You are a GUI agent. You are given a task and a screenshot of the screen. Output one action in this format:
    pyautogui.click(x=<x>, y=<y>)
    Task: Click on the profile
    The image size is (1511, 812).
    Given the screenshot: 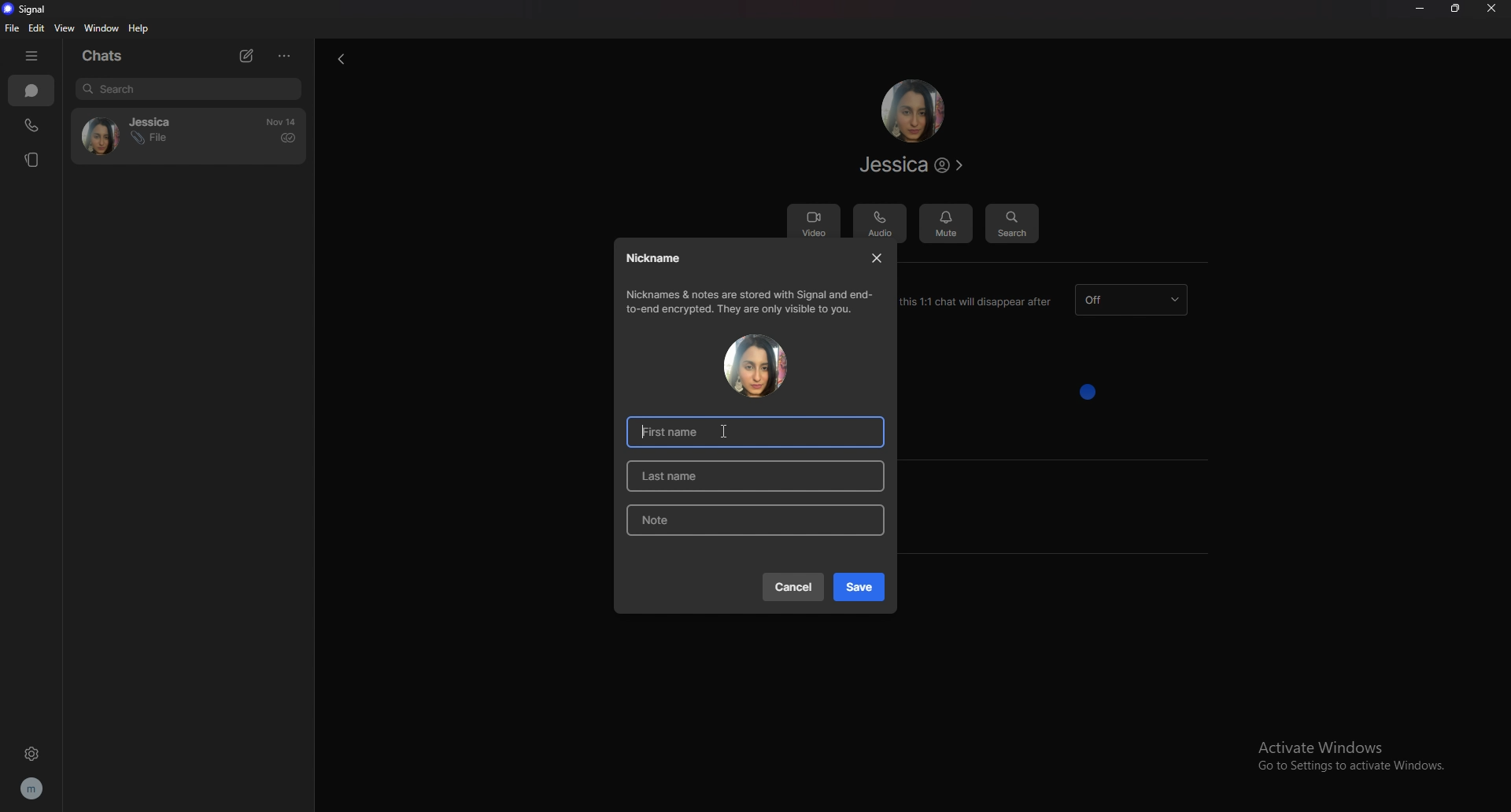 What is the action you would take?
    pyautogui.click(x=38, y=789)
    